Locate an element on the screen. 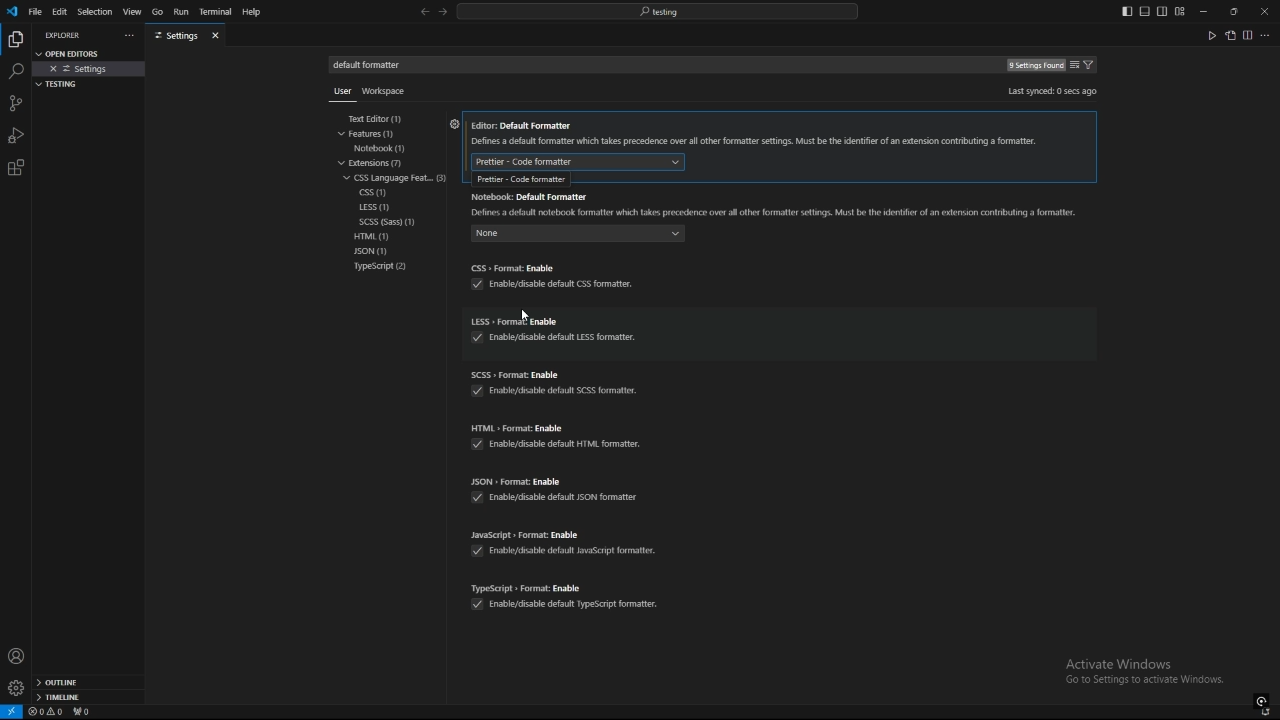 The image size is (1280, 720). source control is located at coordinates (15, 103).